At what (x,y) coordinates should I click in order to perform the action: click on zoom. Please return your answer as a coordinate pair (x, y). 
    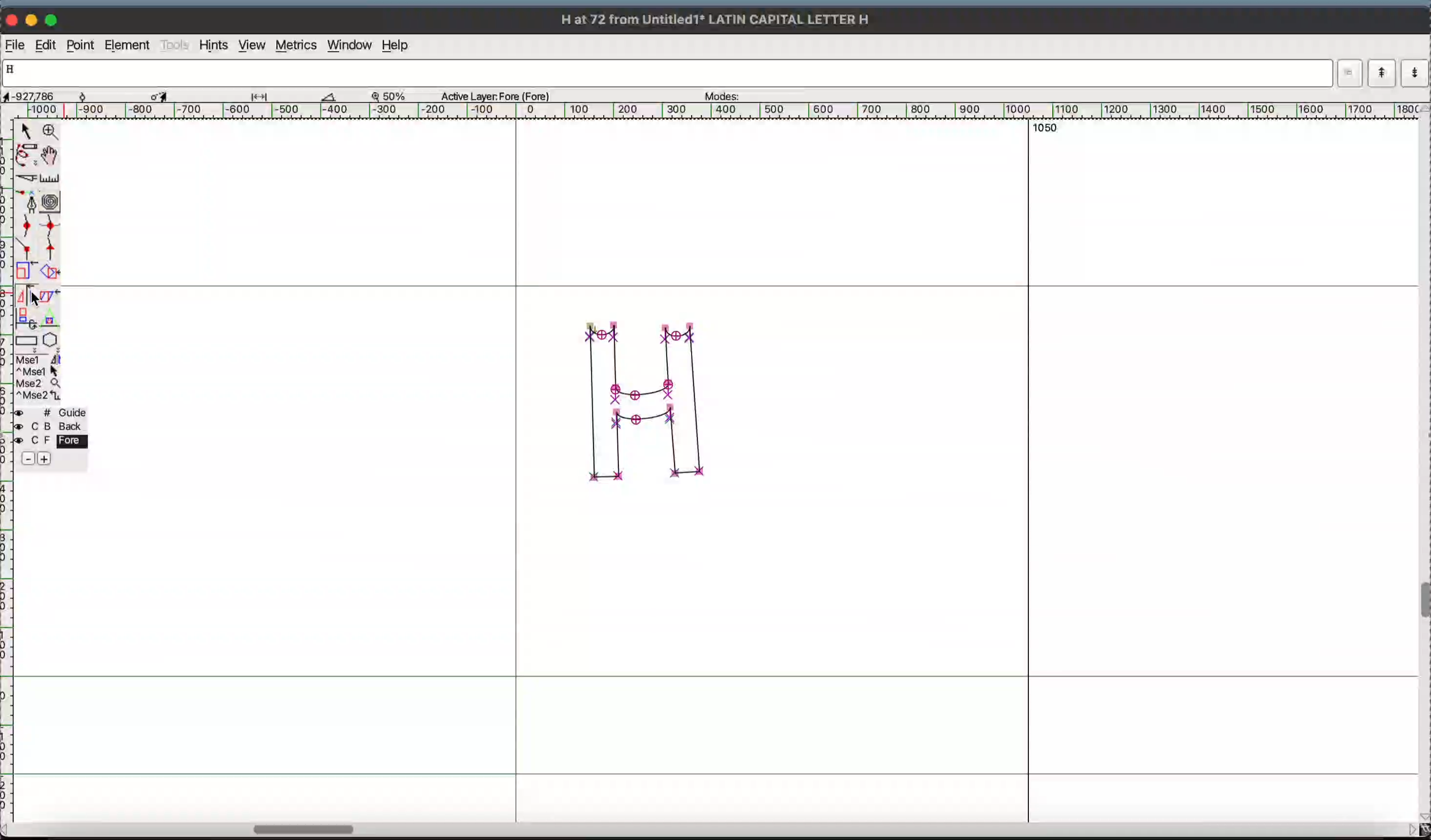
    Looking at the image, I should click on (51, 131).